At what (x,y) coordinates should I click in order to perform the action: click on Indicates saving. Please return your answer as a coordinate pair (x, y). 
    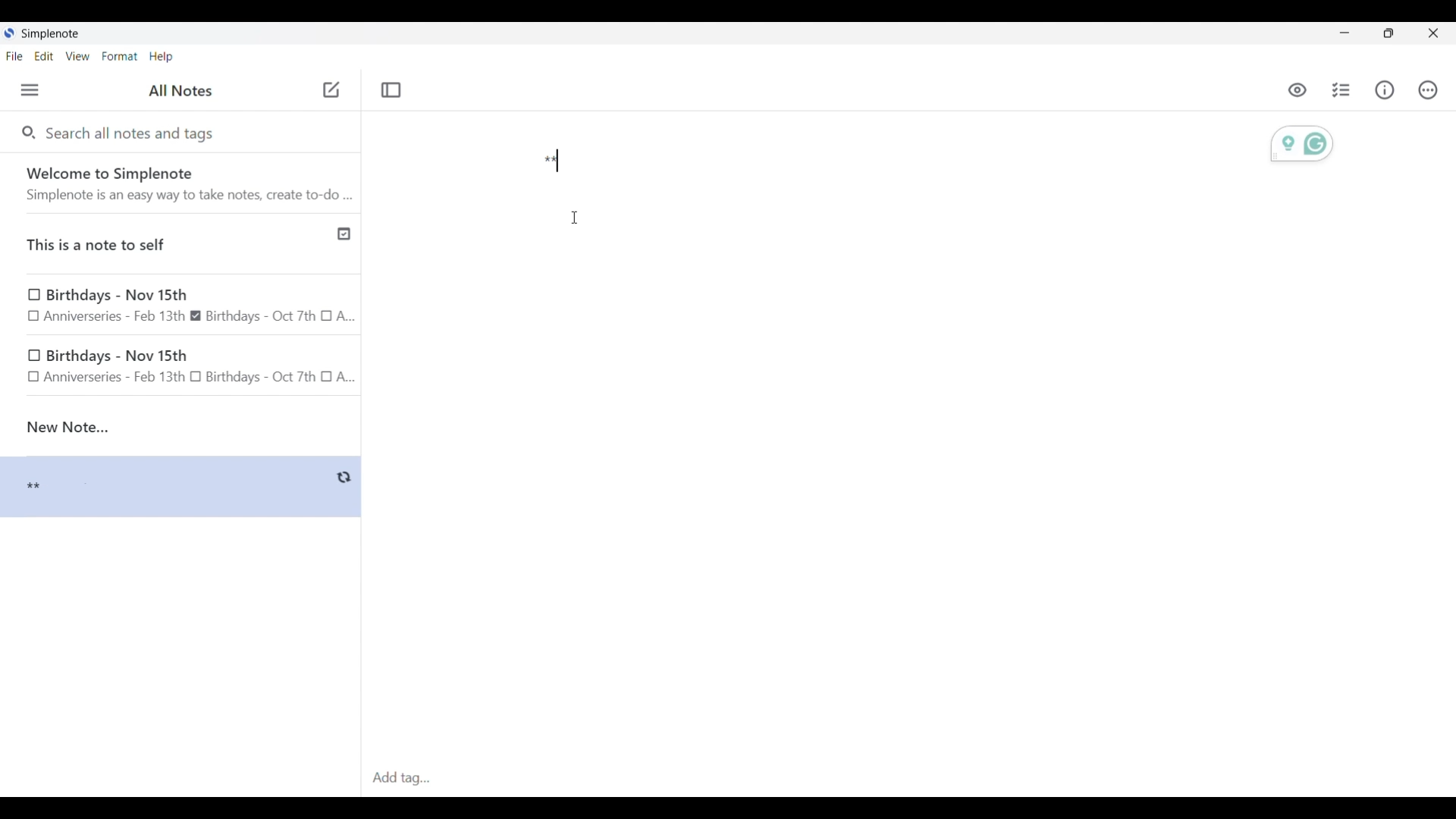
    Looking at the image, I should click on (344, 477).